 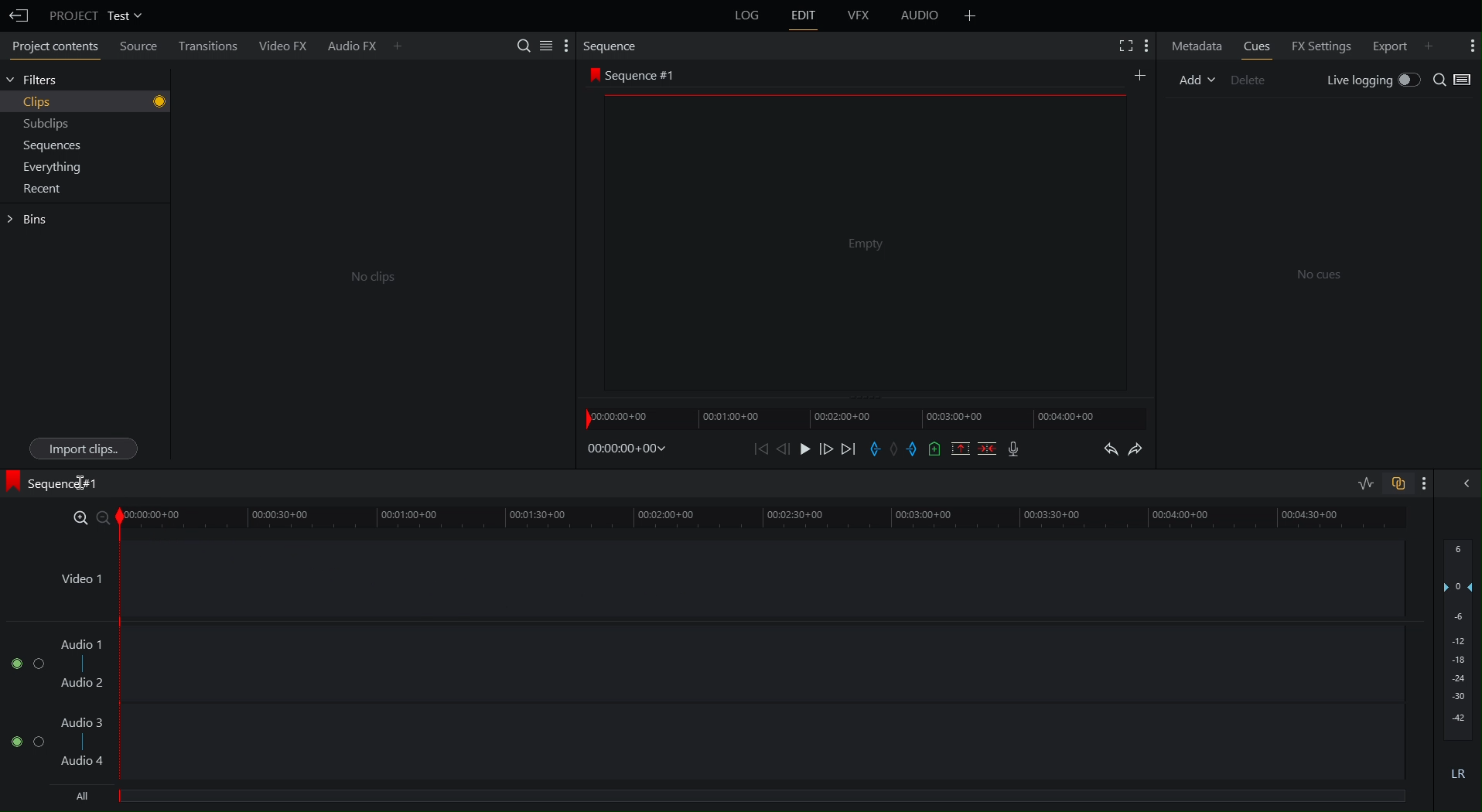 What do you see at coordinates (1109, 447) in the screenshot?
I see `Undo` at bounding box center [1109, 447].